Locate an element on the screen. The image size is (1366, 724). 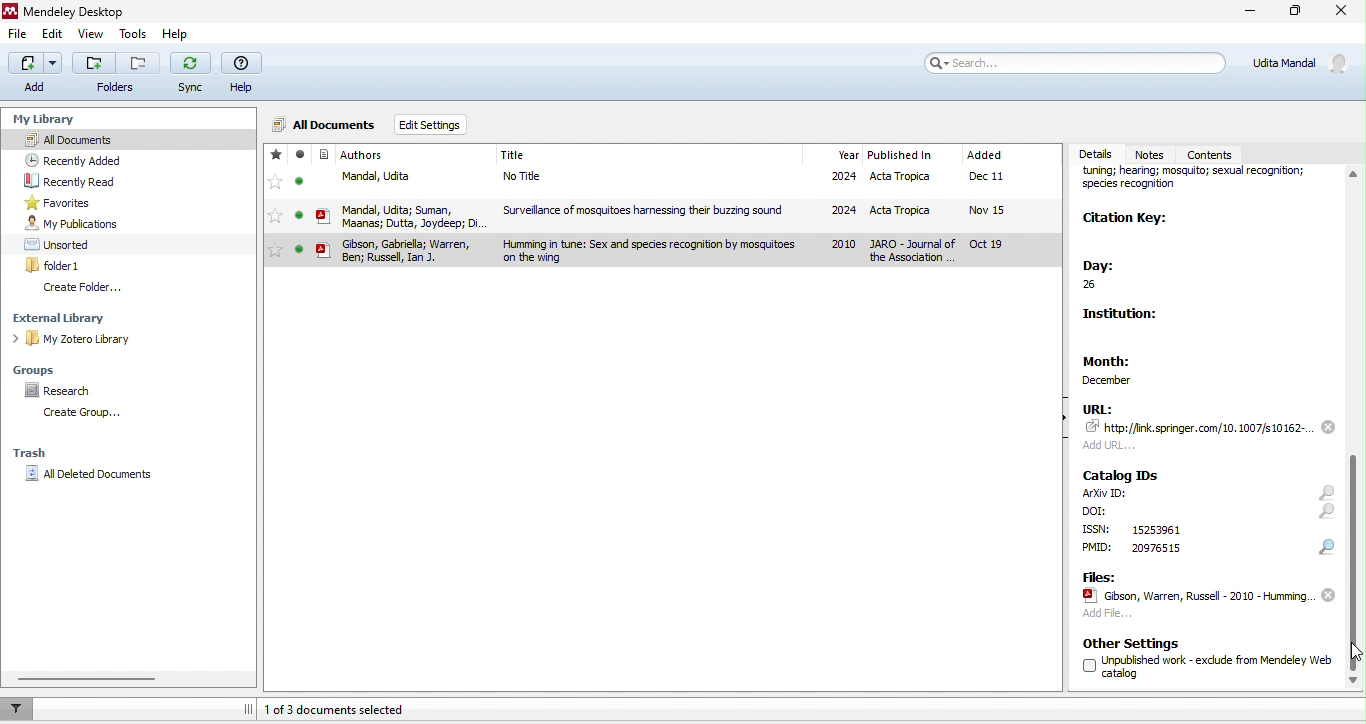
remove is located at coordinates (1328, 426).